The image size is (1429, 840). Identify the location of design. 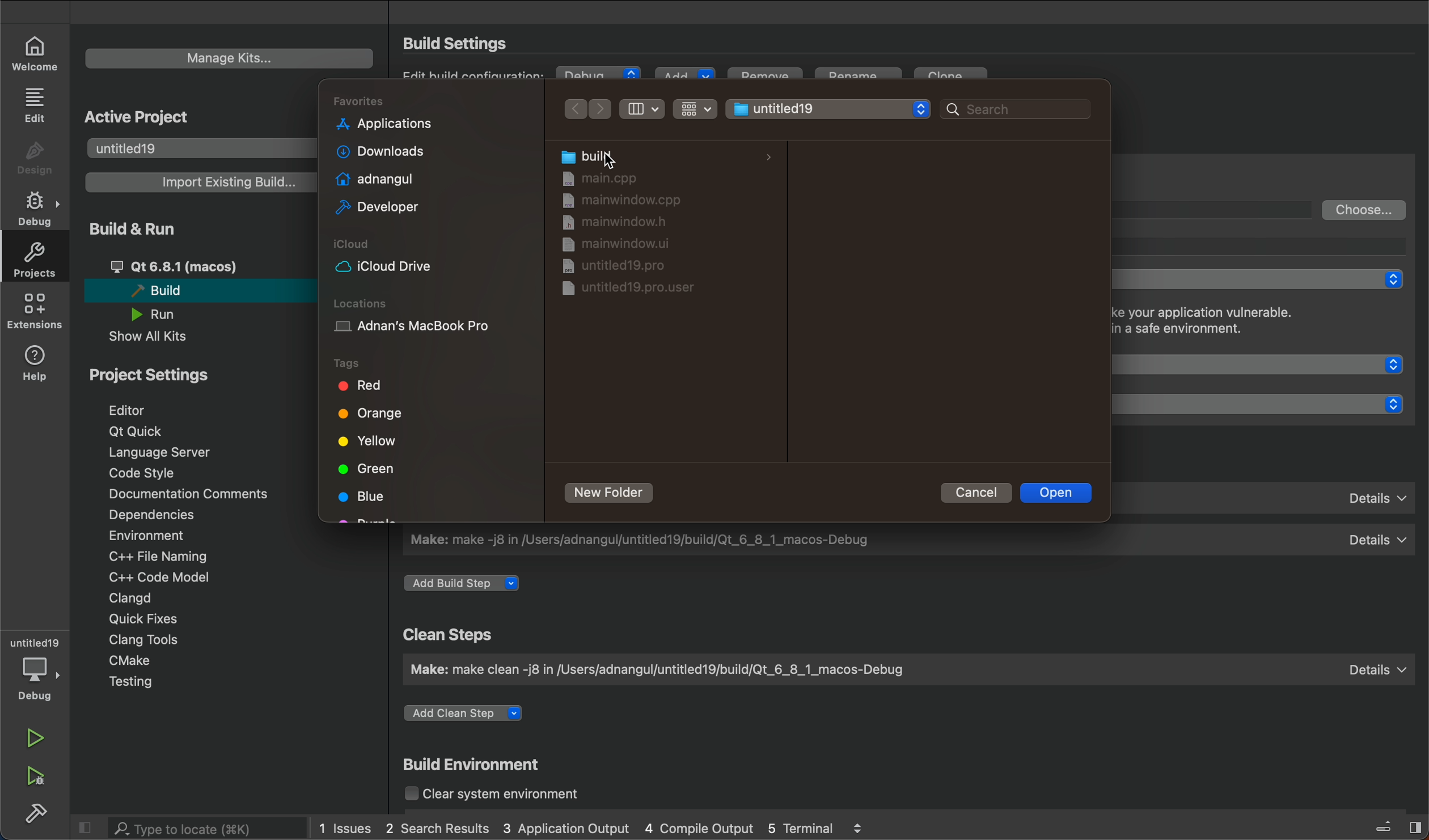
(35, 159).